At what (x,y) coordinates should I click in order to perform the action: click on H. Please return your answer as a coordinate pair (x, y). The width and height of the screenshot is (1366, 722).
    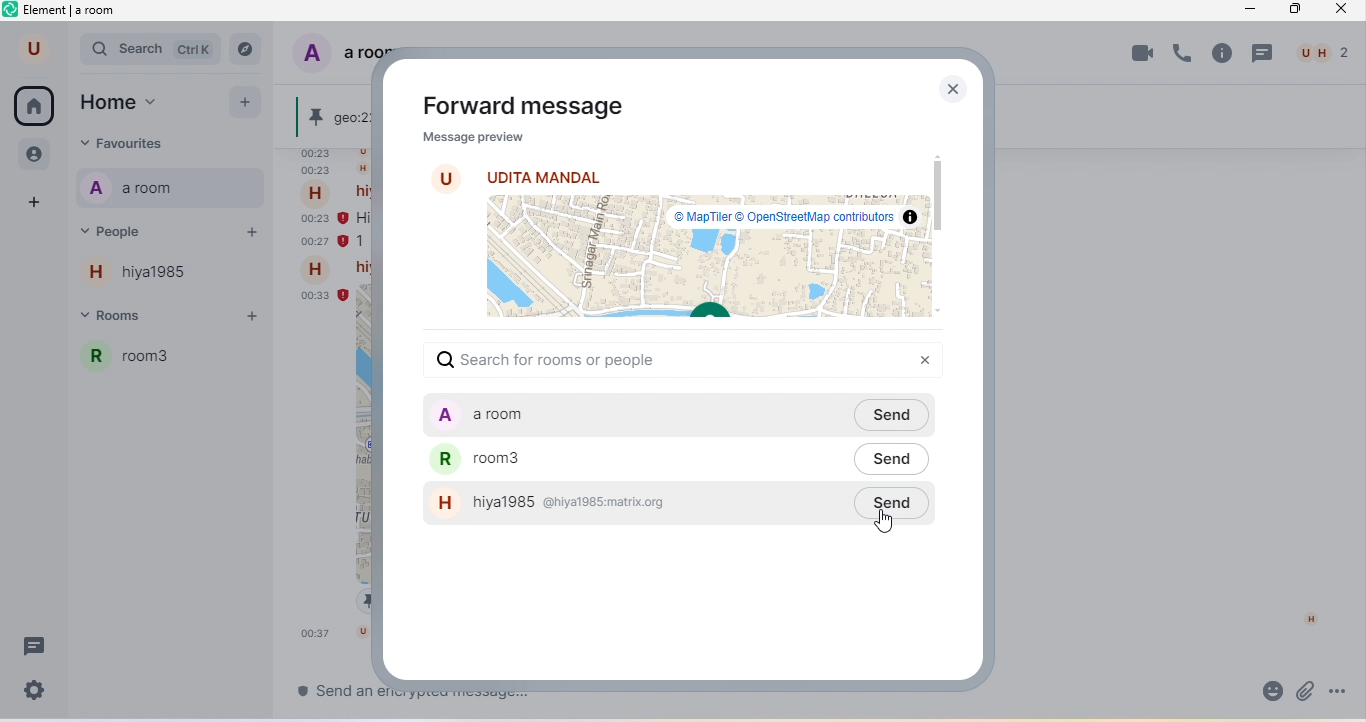
    Looking at the image, I should click on (1311, 619).